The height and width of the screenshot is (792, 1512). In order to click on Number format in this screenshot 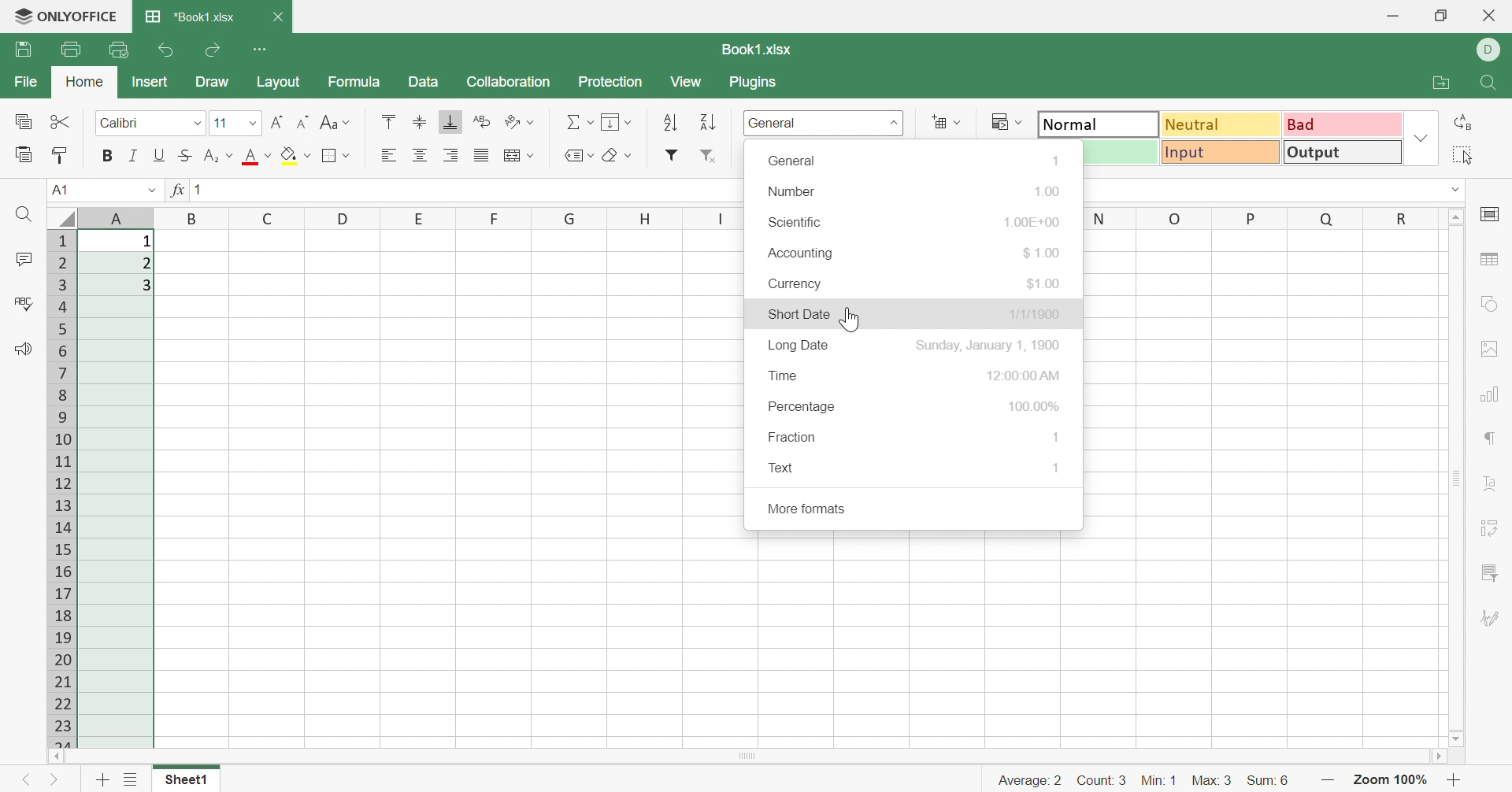, I will do `click(776, 122)`.